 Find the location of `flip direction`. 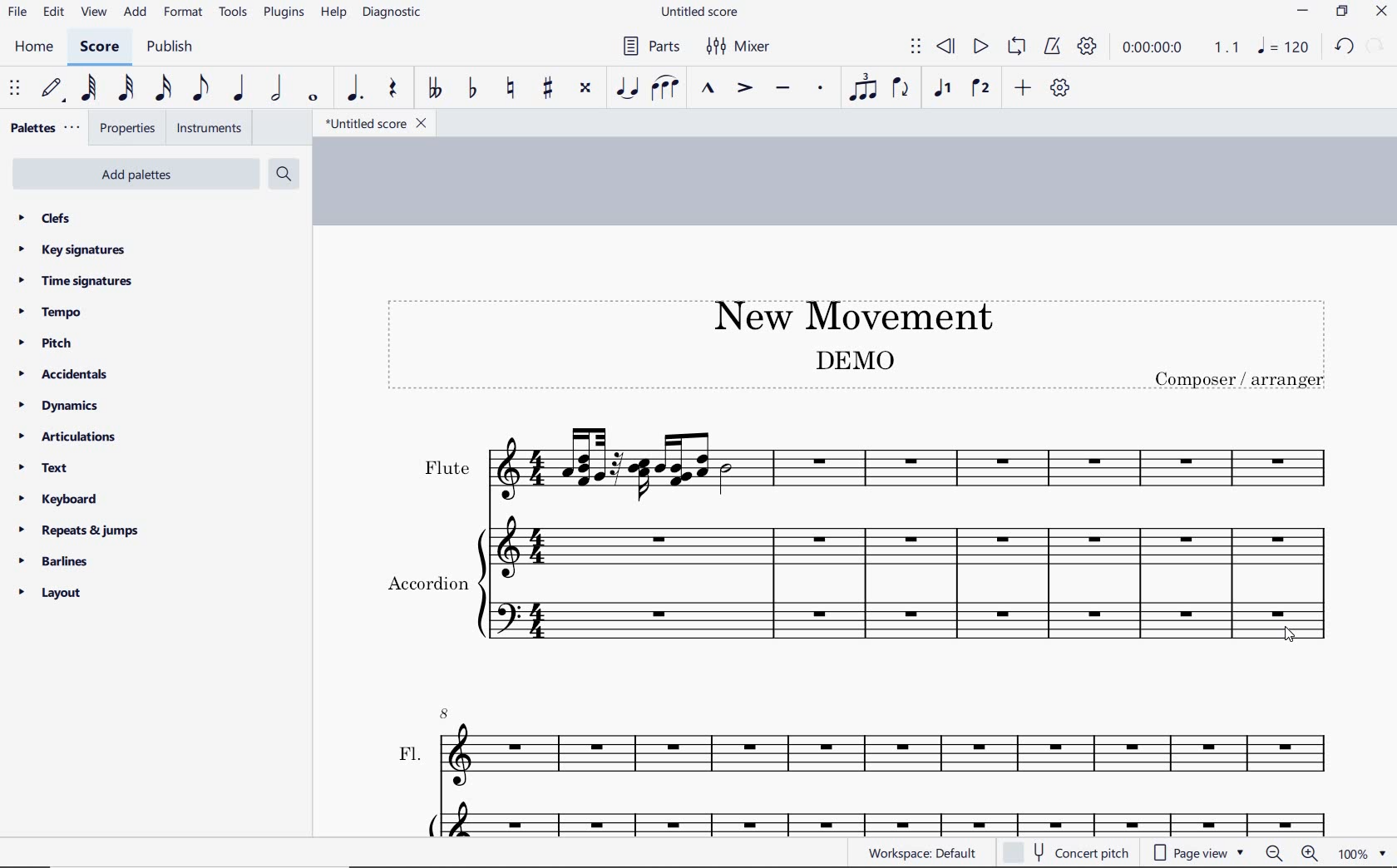

flip direction is located at coordinates (901, 86).